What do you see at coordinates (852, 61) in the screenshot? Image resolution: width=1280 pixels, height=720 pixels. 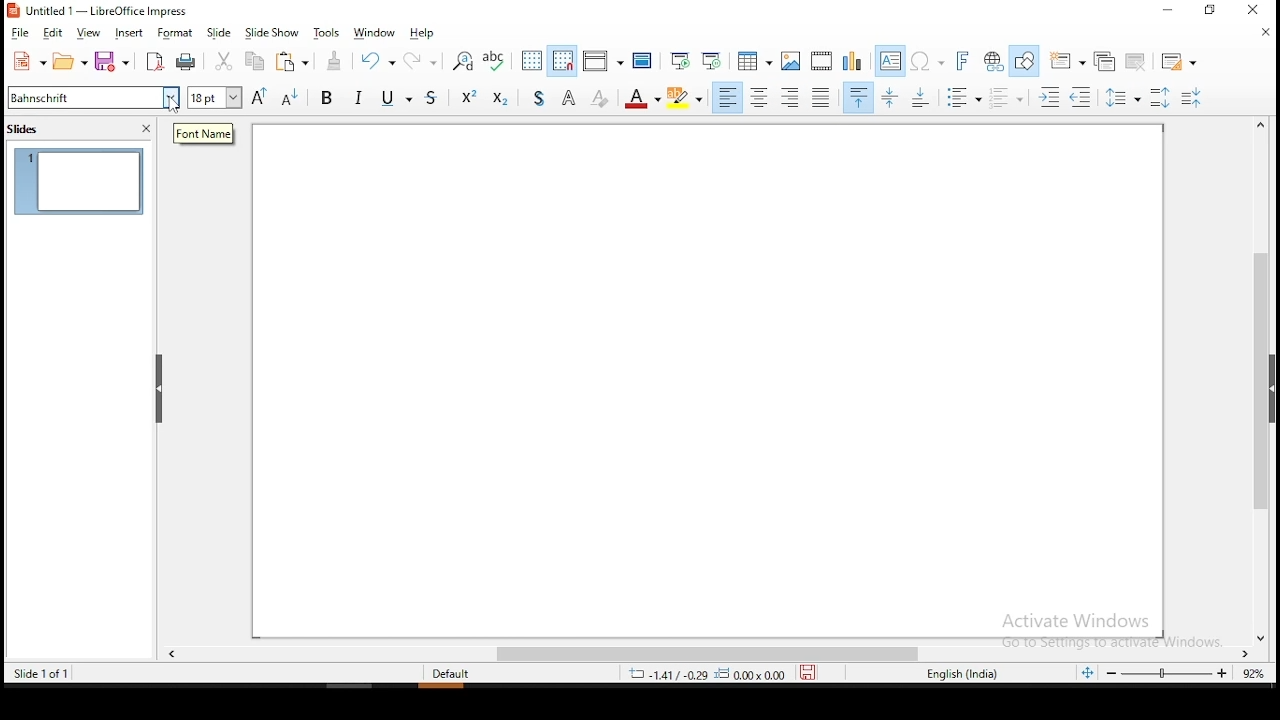 I see `charts` at bounding box center [852, 61].